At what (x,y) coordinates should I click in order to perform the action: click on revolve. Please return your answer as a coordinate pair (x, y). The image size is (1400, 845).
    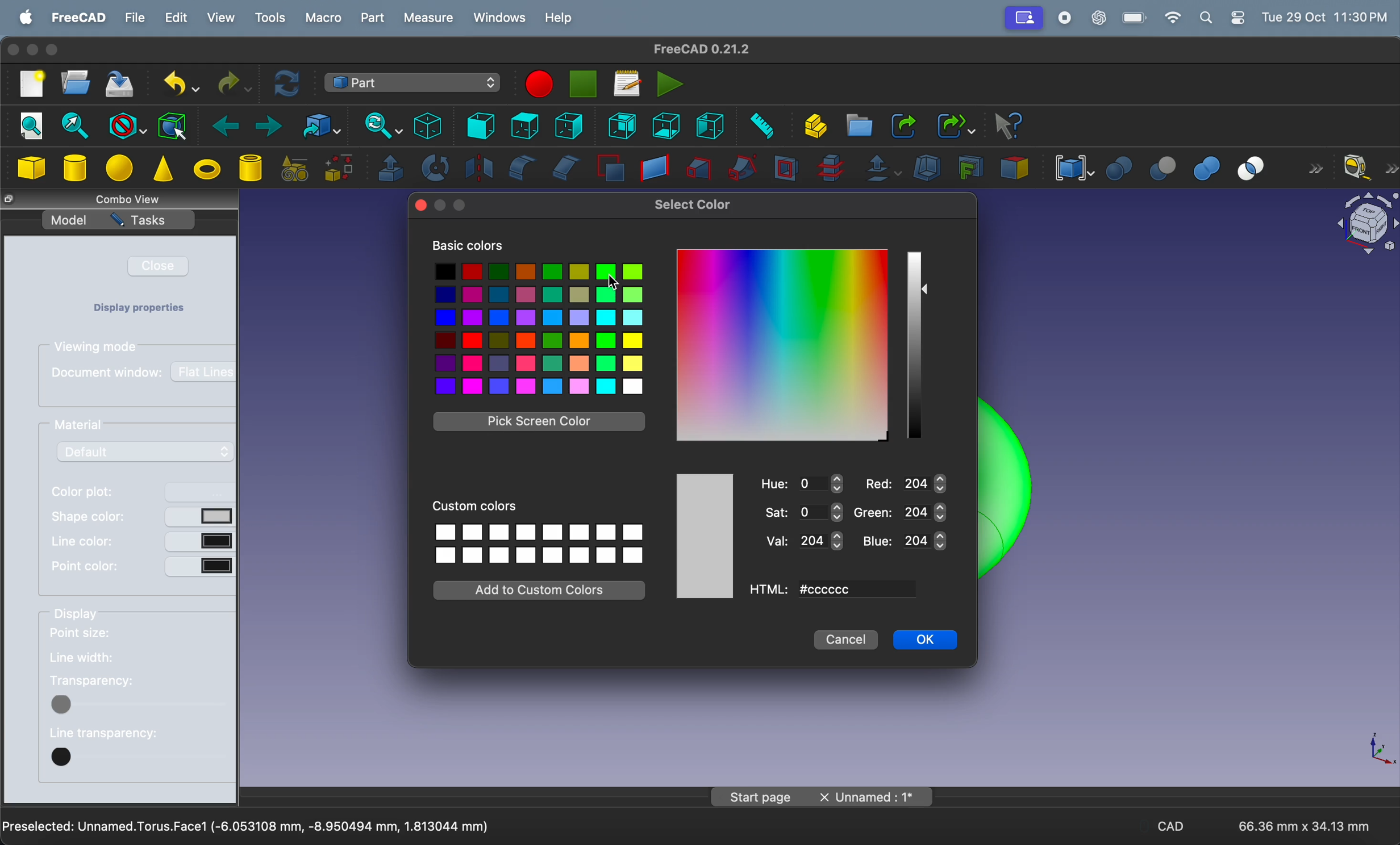
    Looking at the image, I should click on (435, 169).